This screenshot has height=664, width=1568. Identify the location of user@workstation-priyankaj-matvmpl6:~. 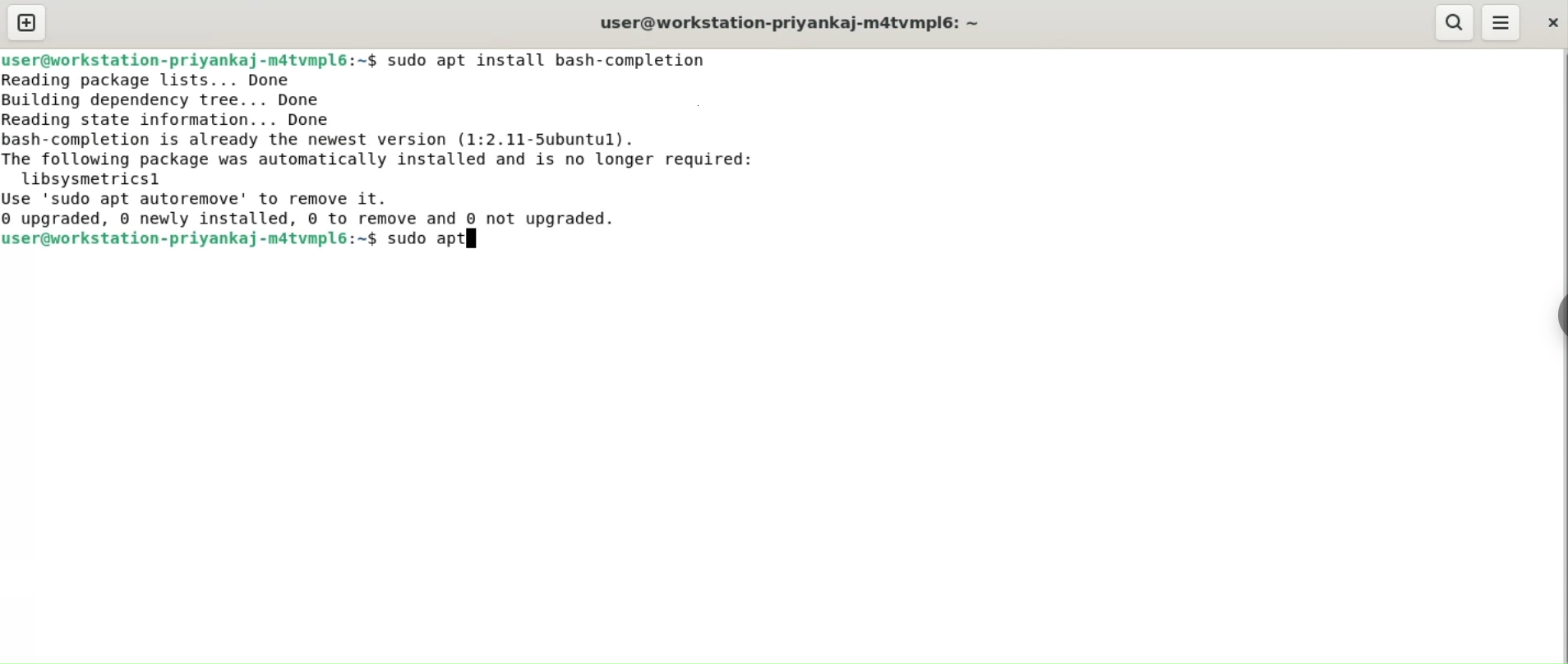
(177, 57).